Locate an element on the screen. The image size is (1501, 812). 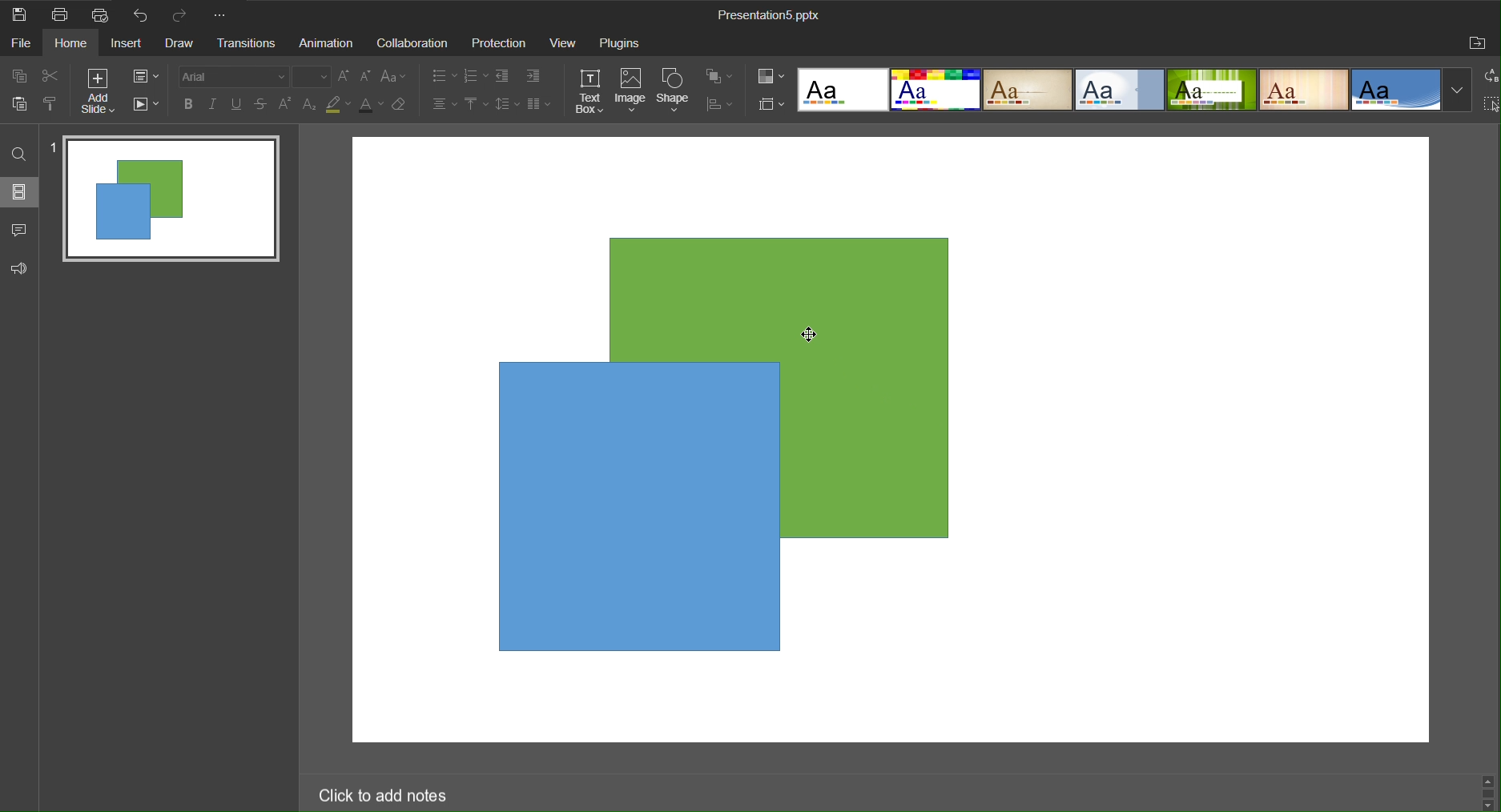
Text Case Settings is located at coordinates (398, 78).